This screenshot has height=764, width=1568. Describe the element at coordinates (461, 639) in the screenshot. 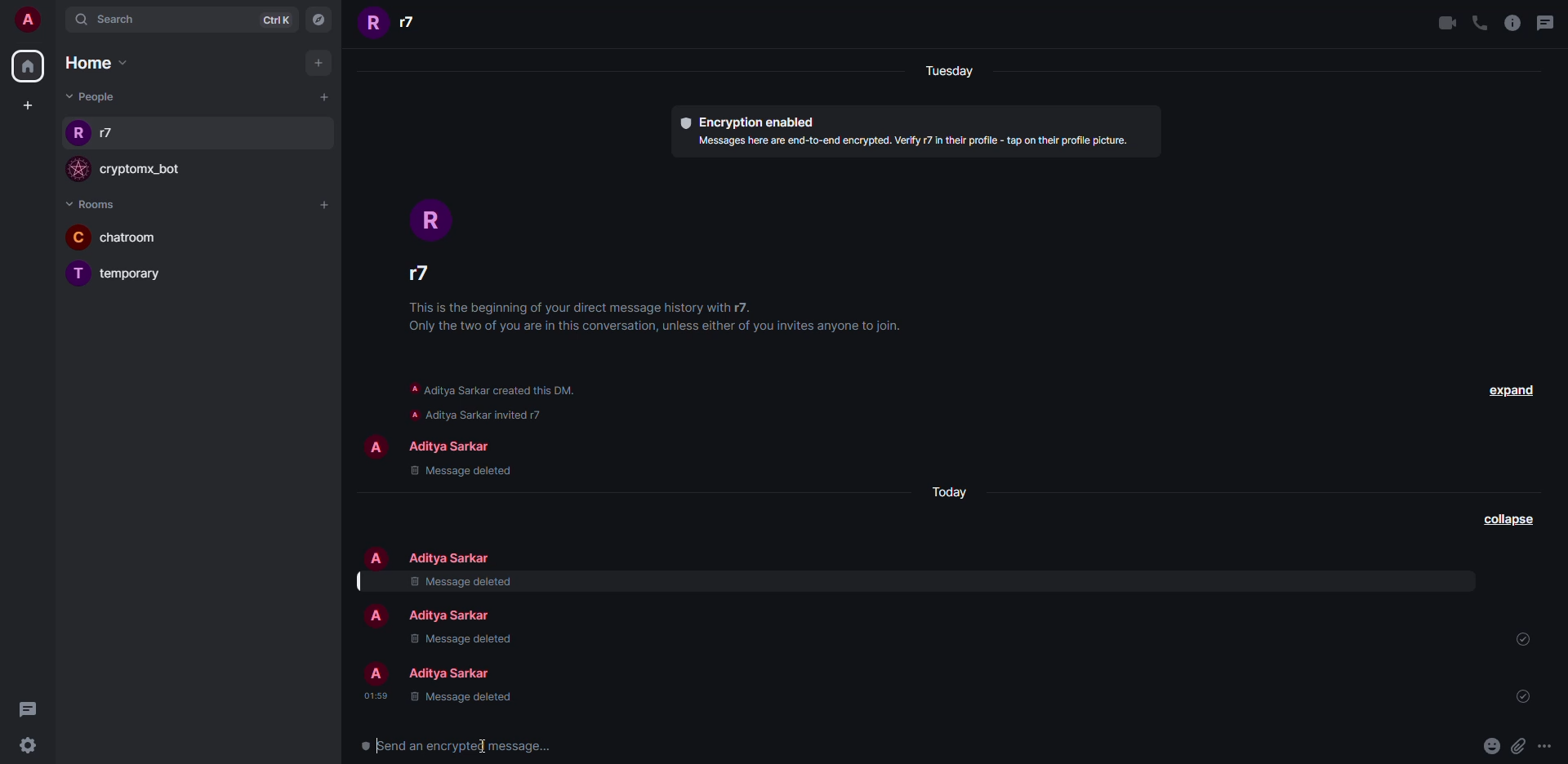

I see `message deleted` at that location.